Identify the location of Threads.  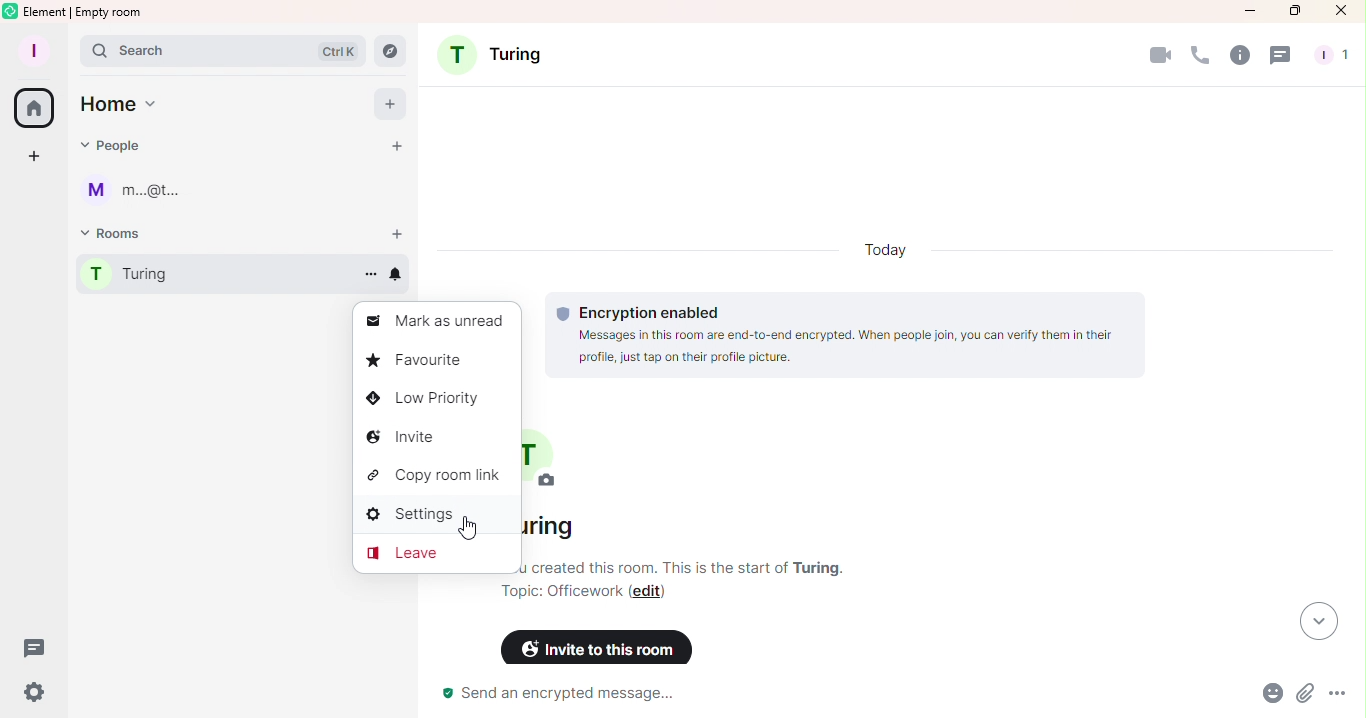
(1281, 59).